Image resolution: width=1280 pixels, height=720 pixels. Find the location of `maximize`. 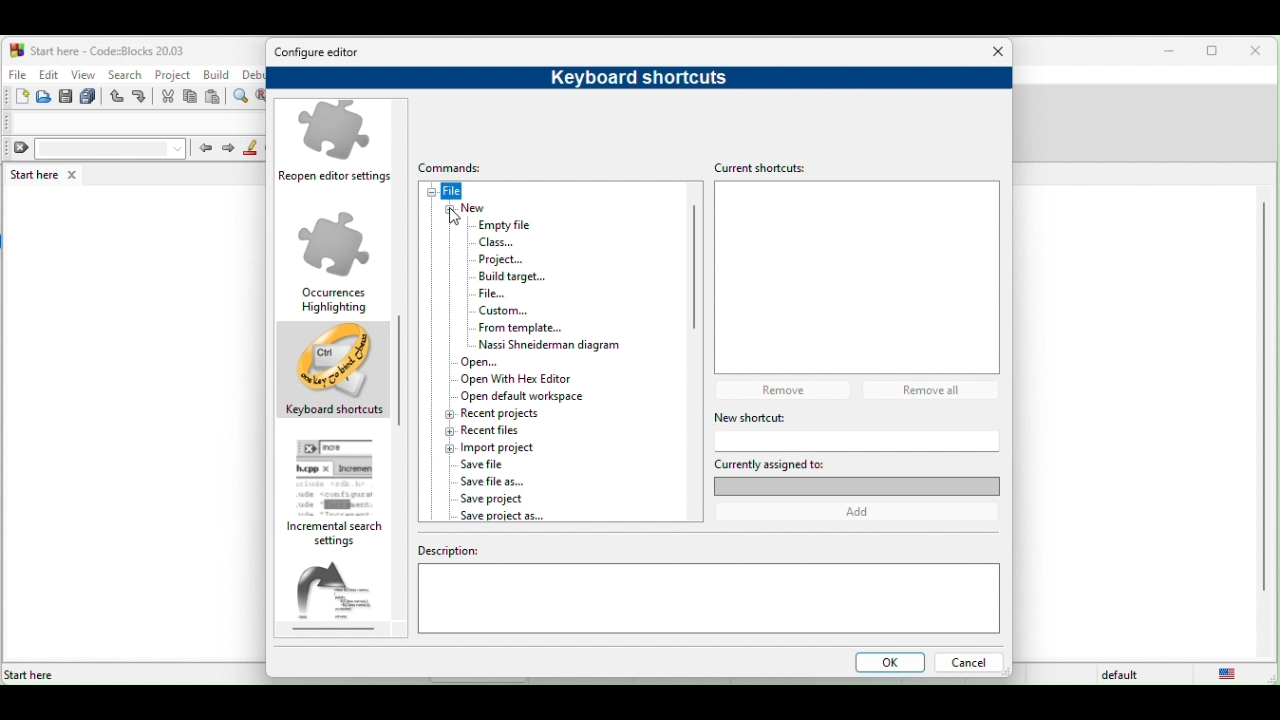

maximize is located at coordinates (1216, 53).